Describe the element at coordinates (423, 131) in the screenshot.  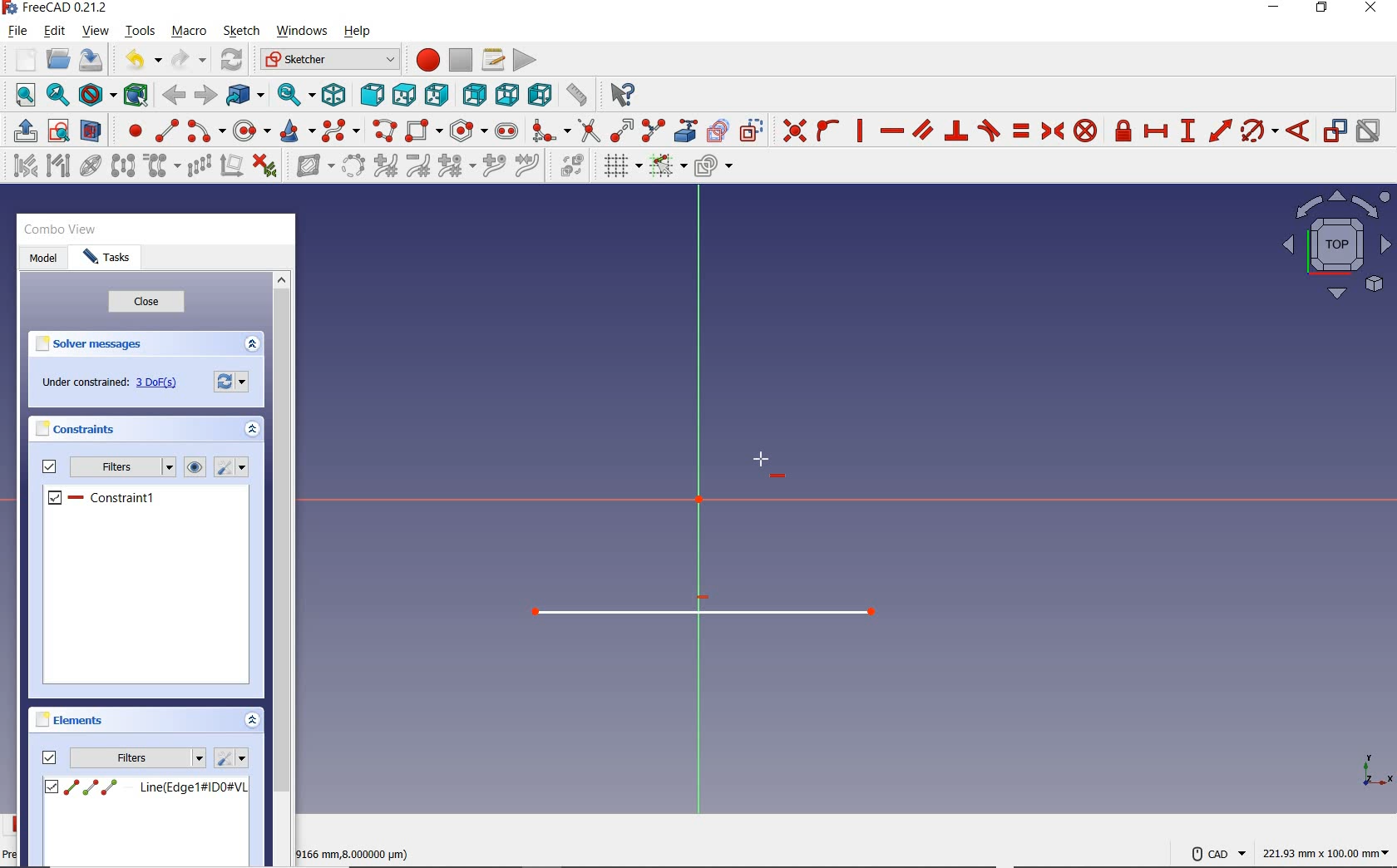
I see `CREATE RECTANGLE` at that location.